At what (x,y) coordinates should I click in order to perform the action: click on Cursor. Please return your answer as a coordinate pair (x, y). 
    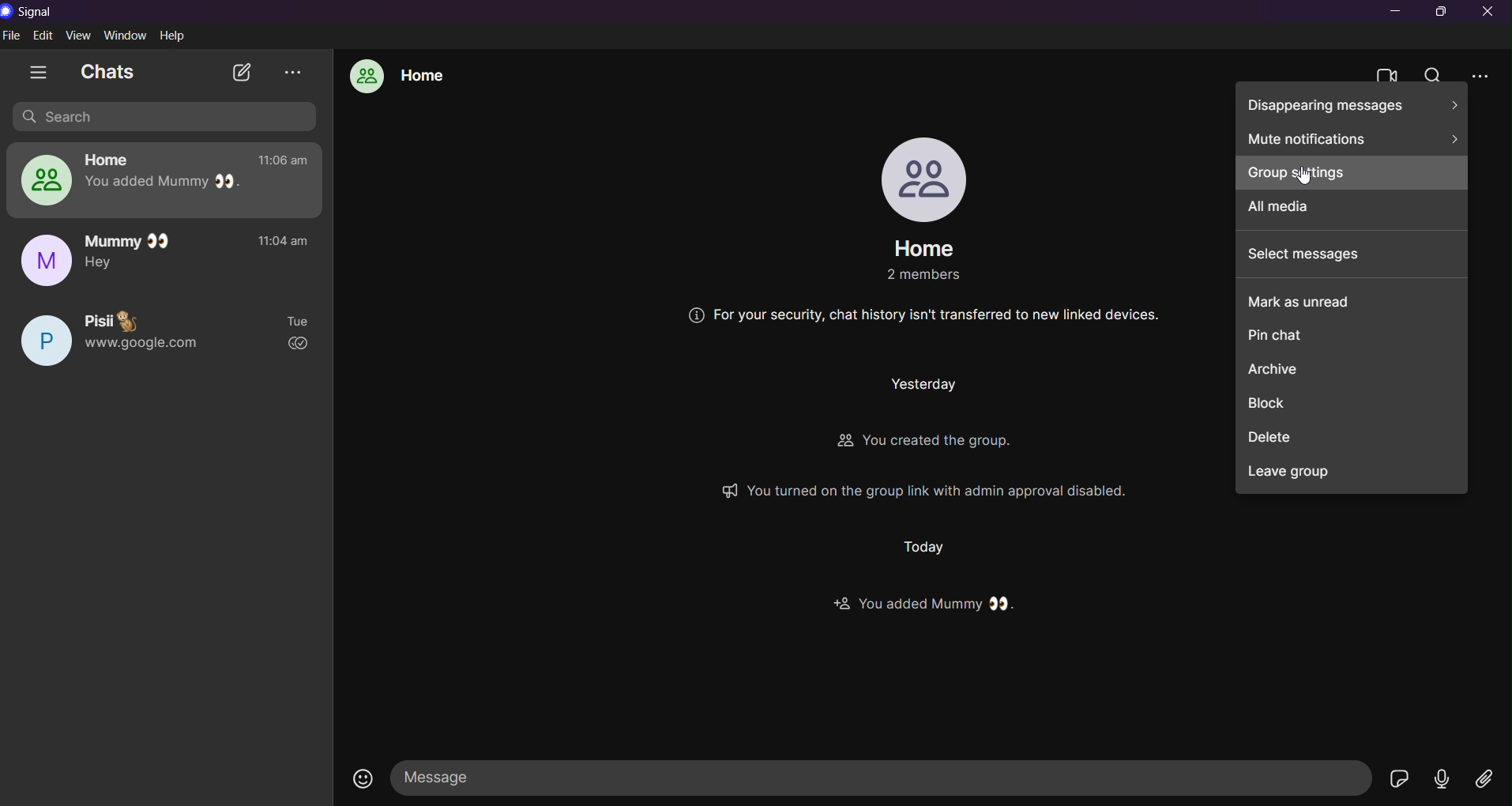
    Looking at the image, I should click on (1303, 175).